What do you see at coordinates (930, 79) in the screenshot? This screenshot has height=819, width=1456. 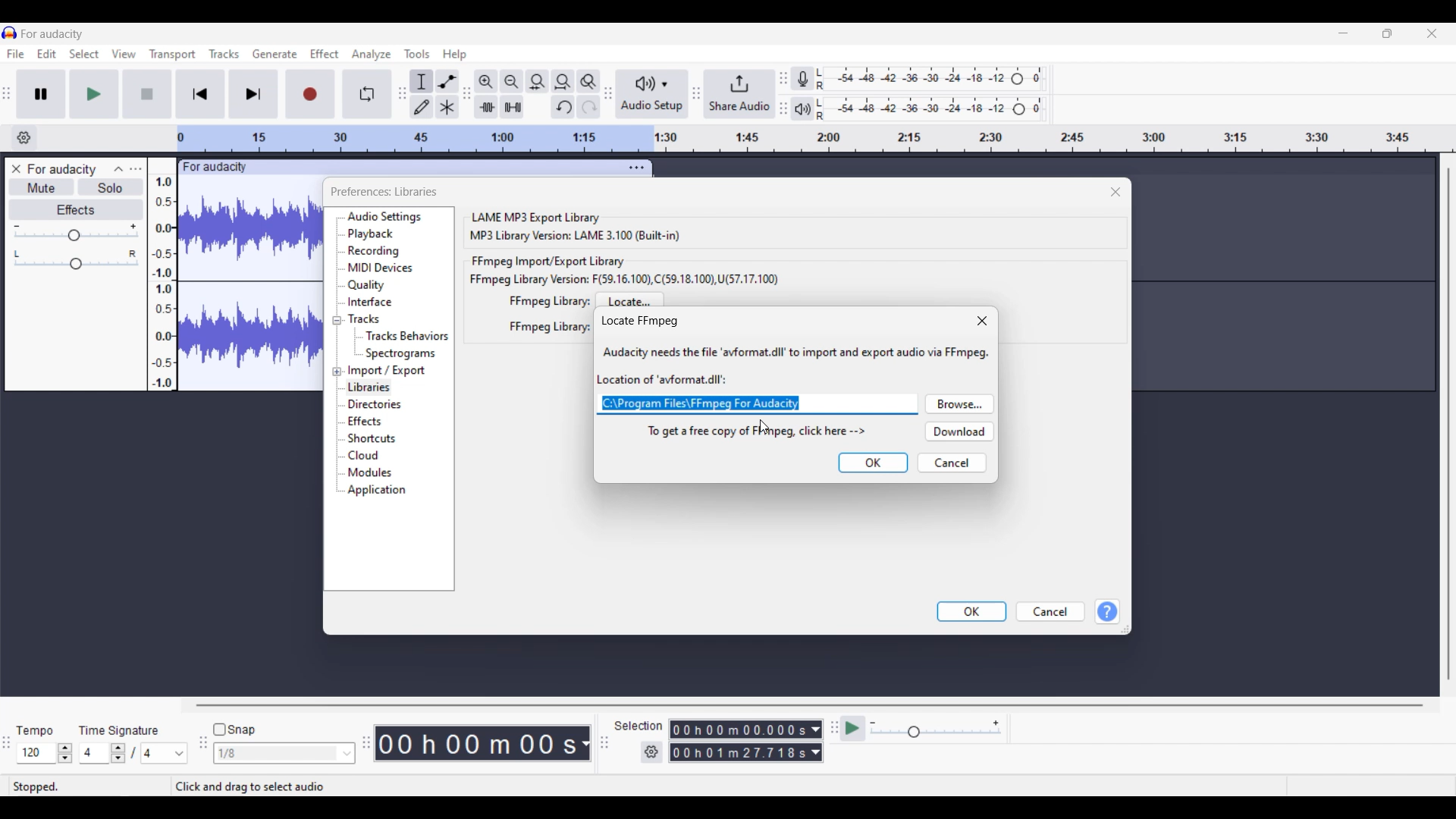 I see `Recording level` at bounding box center [930, 79].